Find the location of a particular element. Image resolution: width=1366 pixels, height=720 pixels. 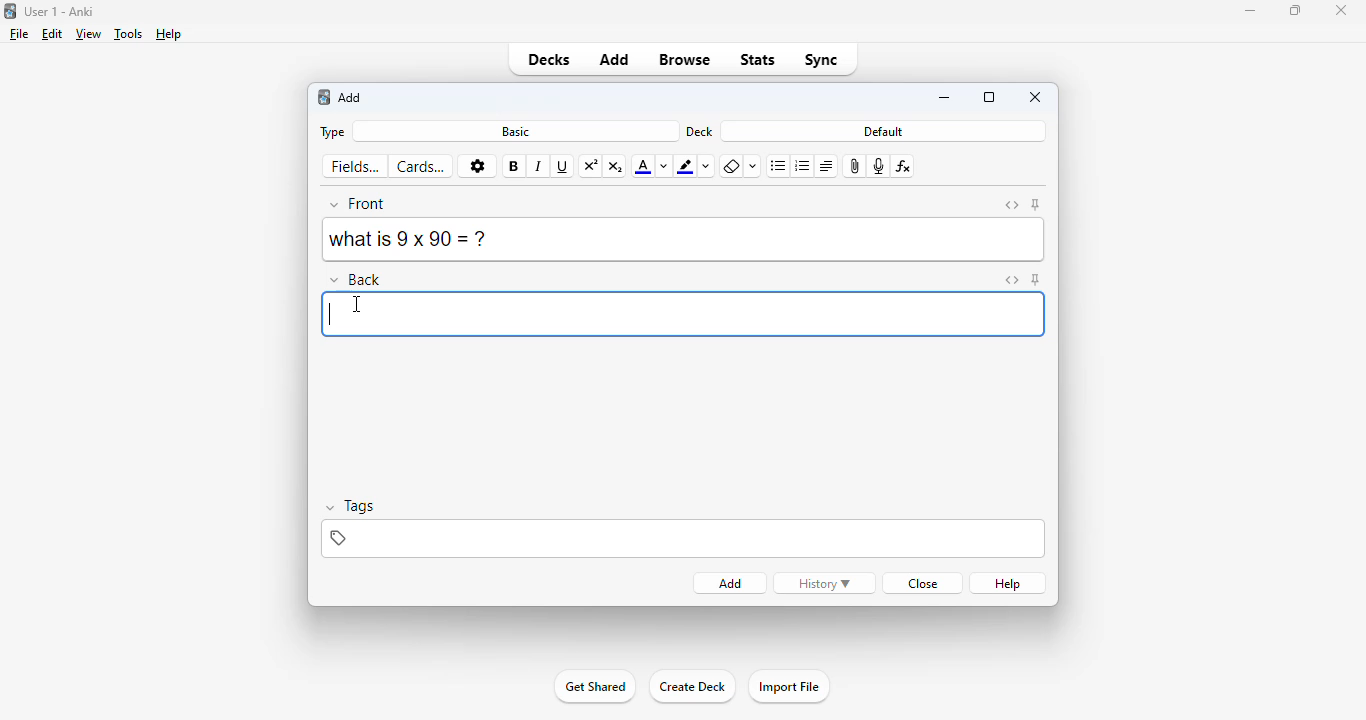

record audio is located at coordinates (879, 166).